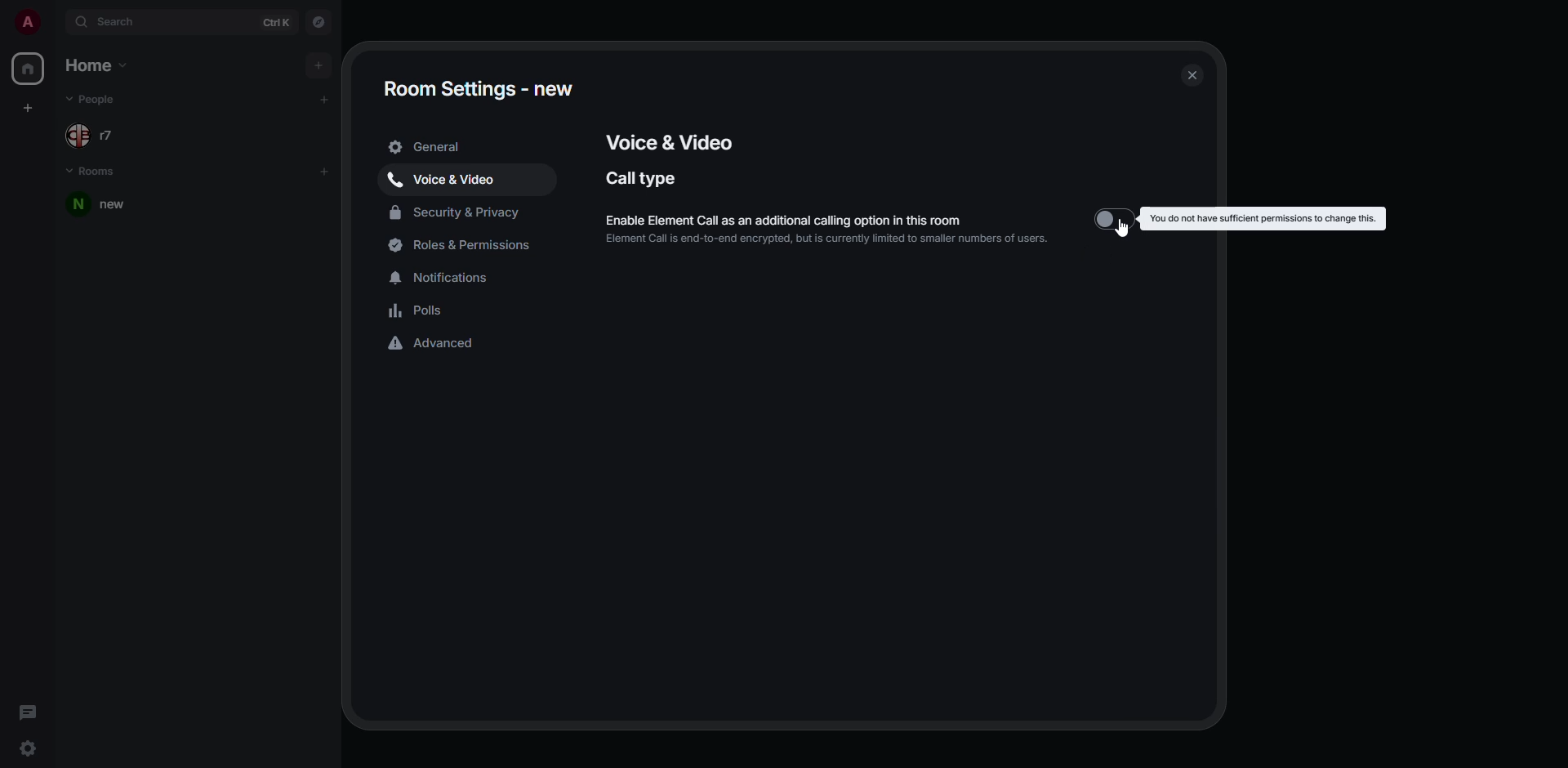 Image resolution: width=1568 pixels, height=768 pixels. What do you see at coordinates (418, 310) in the screenshot?
I see `polls` at bounding box center [418, 310].